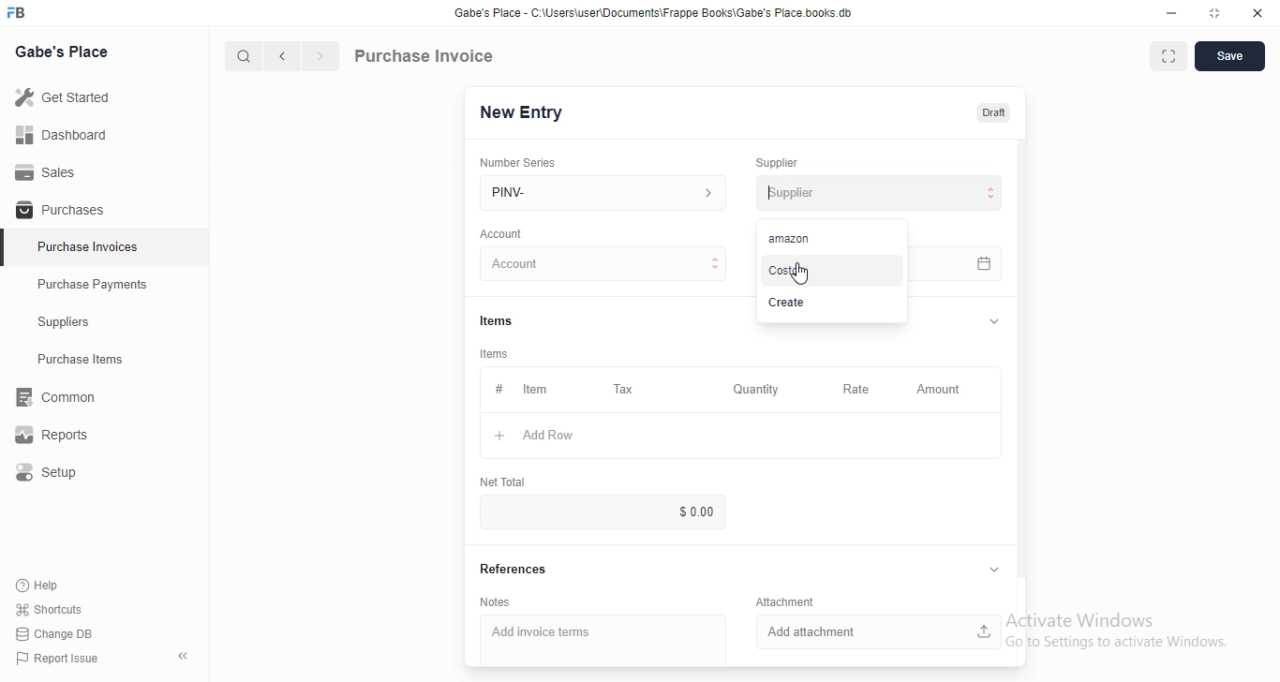 Image resolution: width=1280 pixels, height=682 pixels. What do you see at coordinates (603, 640) in the screenshot?
I see `Add invoice terms` at bounding box center [603, 640].